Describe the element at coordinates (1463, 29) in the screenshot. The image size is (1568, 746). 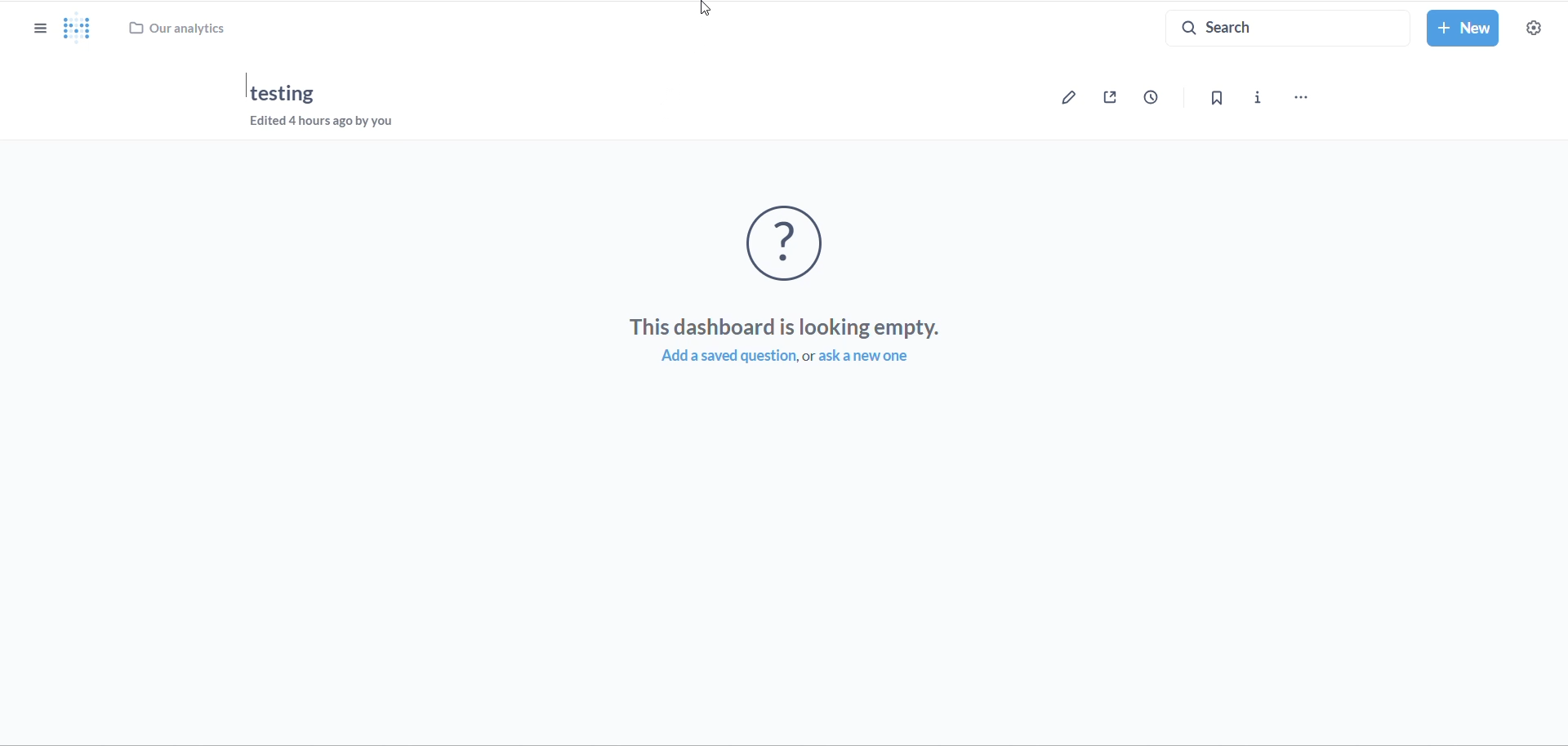
I see `new` at that location.